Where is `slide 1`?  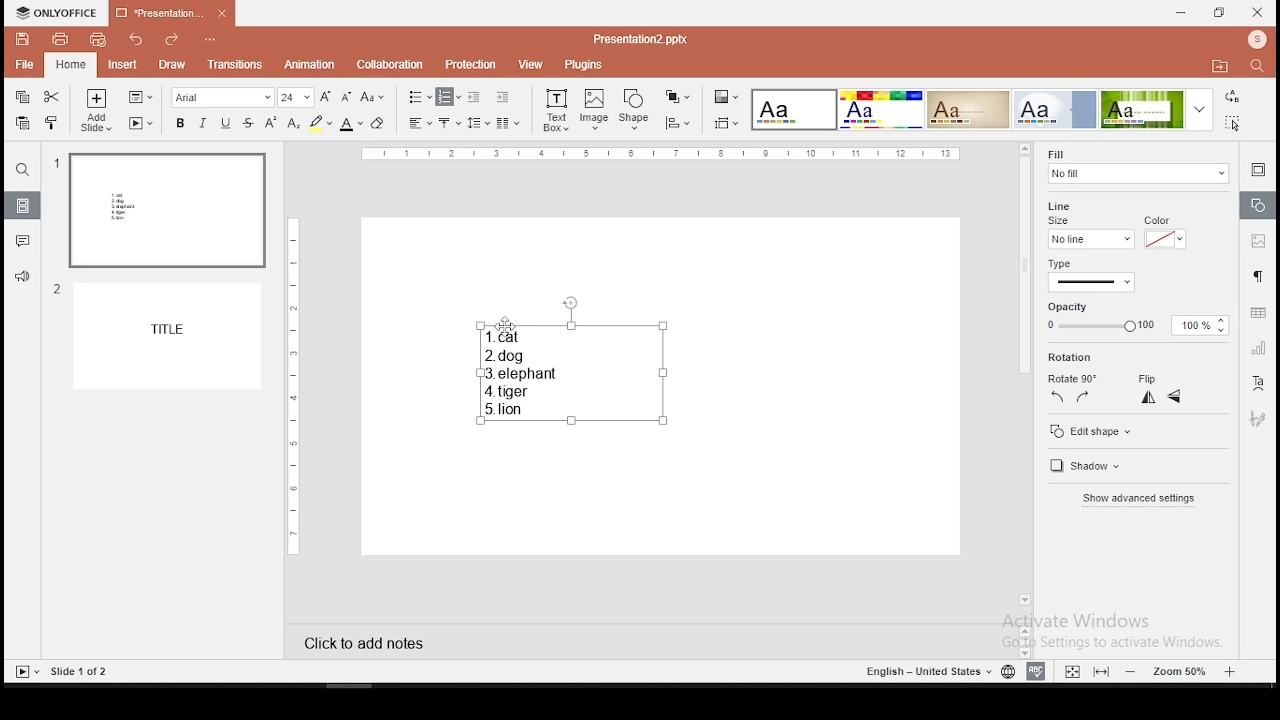 slide 1 is located at coordinates (166, 211).